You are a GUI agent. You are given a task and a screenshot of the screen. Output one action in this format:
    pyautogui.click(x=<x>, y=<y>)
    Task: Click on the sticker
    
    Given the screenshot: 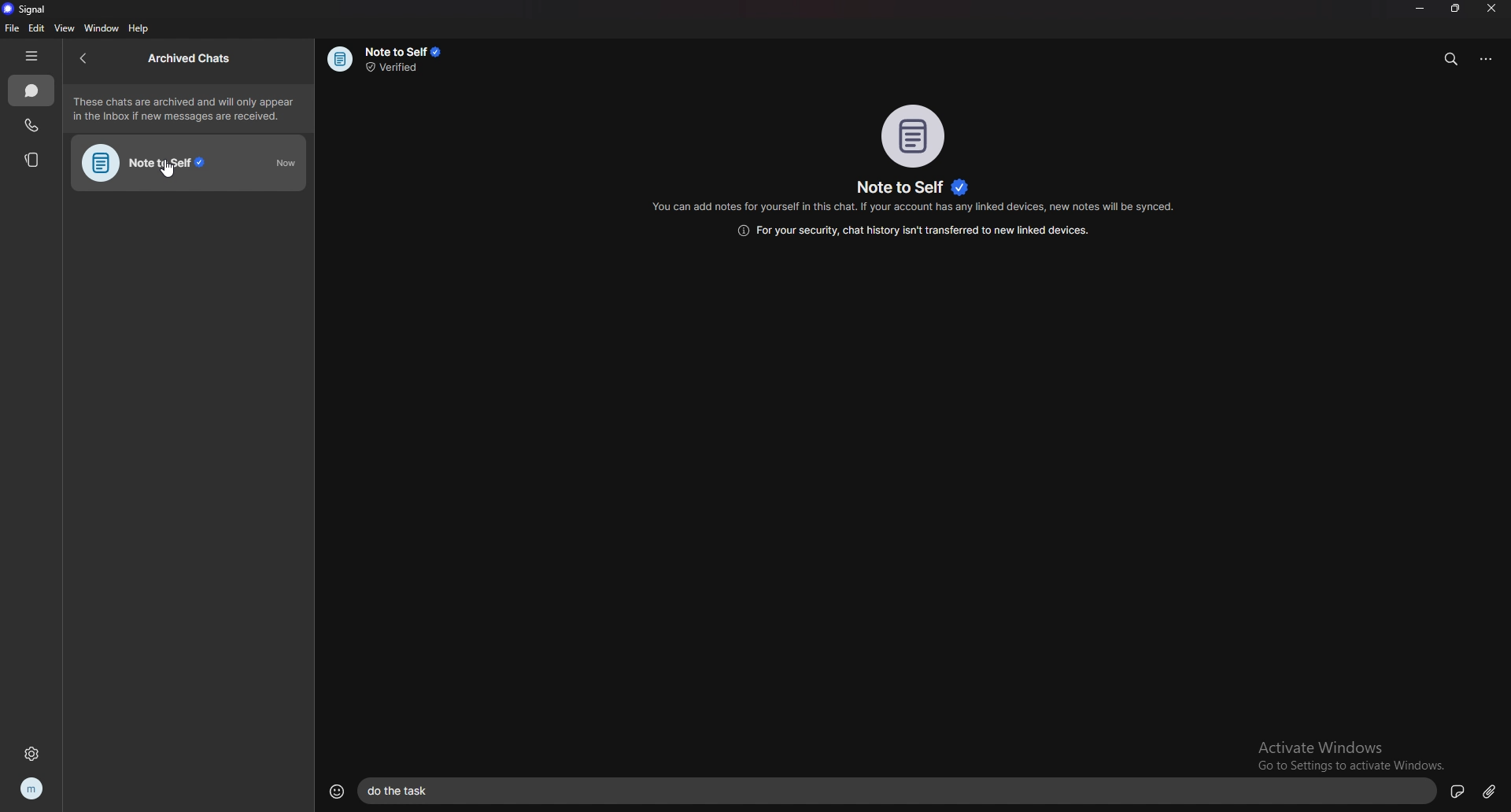 What is the action you would take?
    pyautogui.click(x=1427, y=791)
    